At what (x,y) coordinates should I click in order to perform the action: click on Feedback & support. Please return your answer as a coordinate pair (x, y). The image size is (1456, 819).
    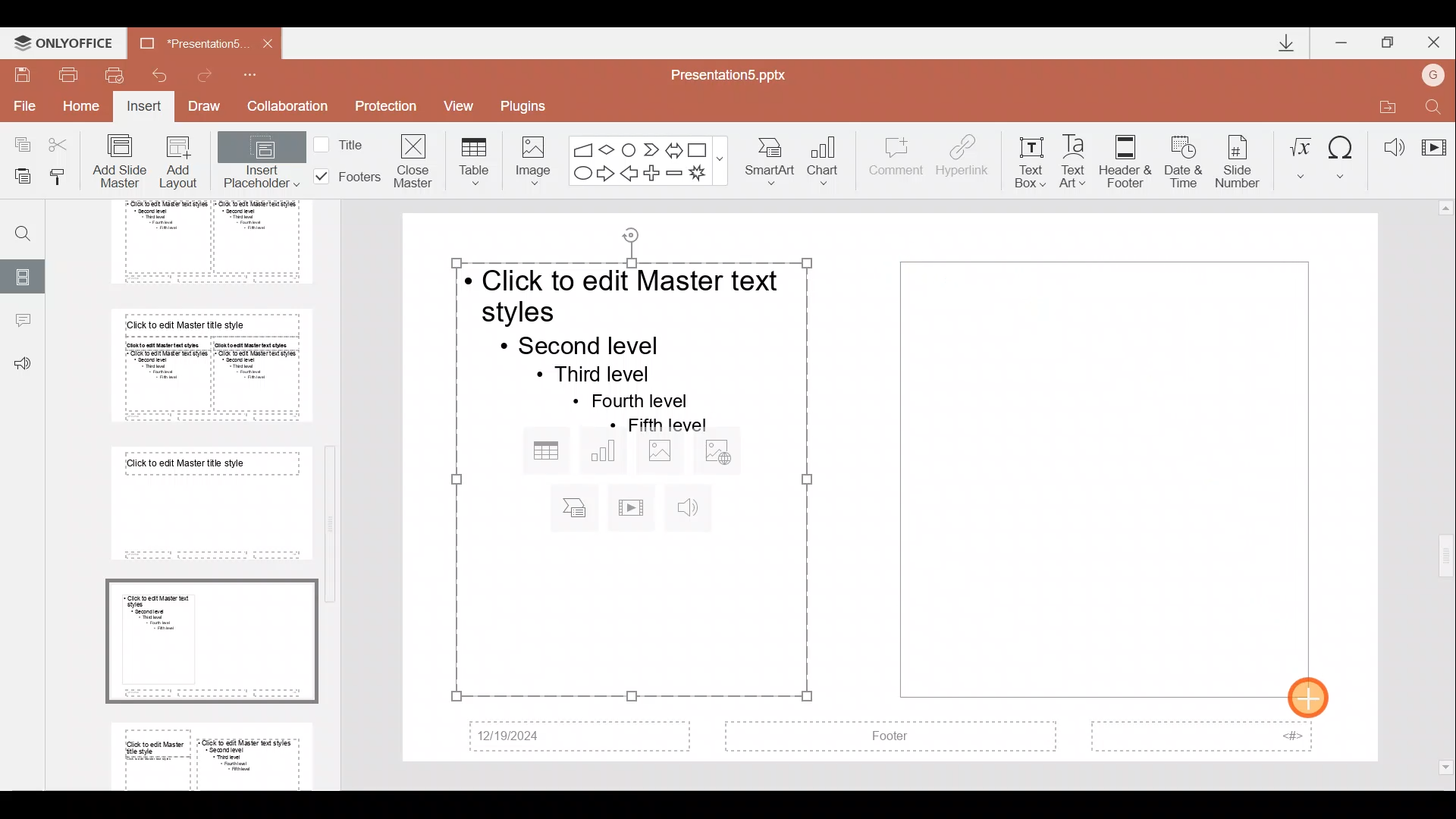
    Looking at the image, I should click on (23, 365).